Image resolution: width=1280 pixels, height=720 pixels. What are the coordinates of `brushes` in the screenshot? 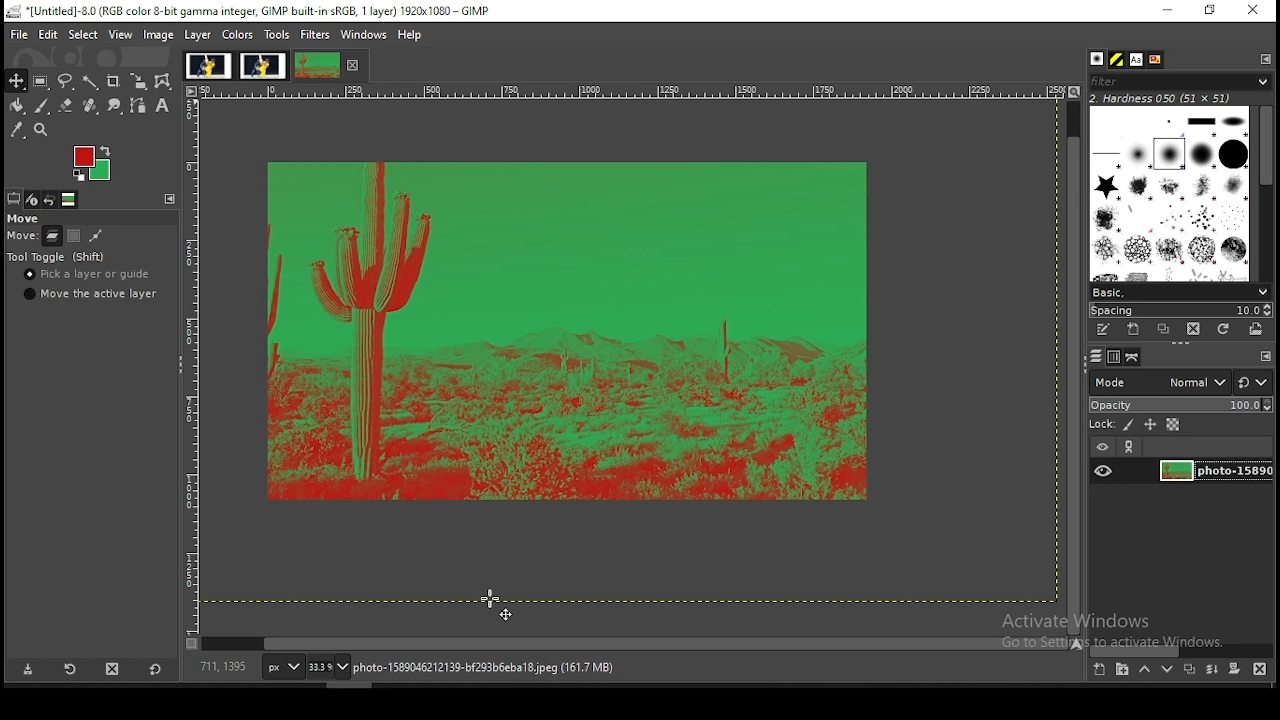 It's located at (1099, 59).